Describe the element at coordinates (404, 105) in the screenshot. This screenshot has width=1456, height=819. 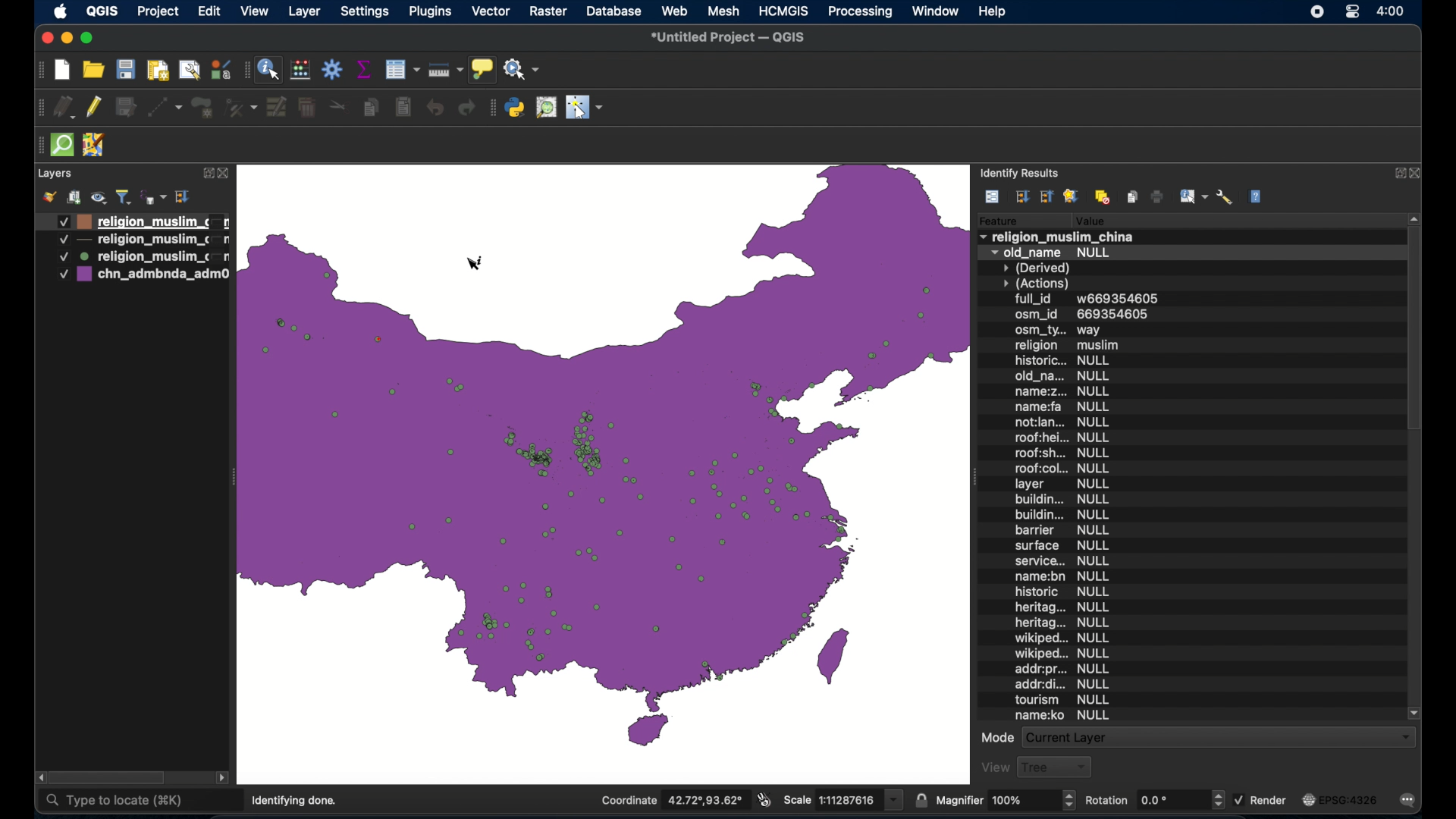
I see `paste fatures` at that location.